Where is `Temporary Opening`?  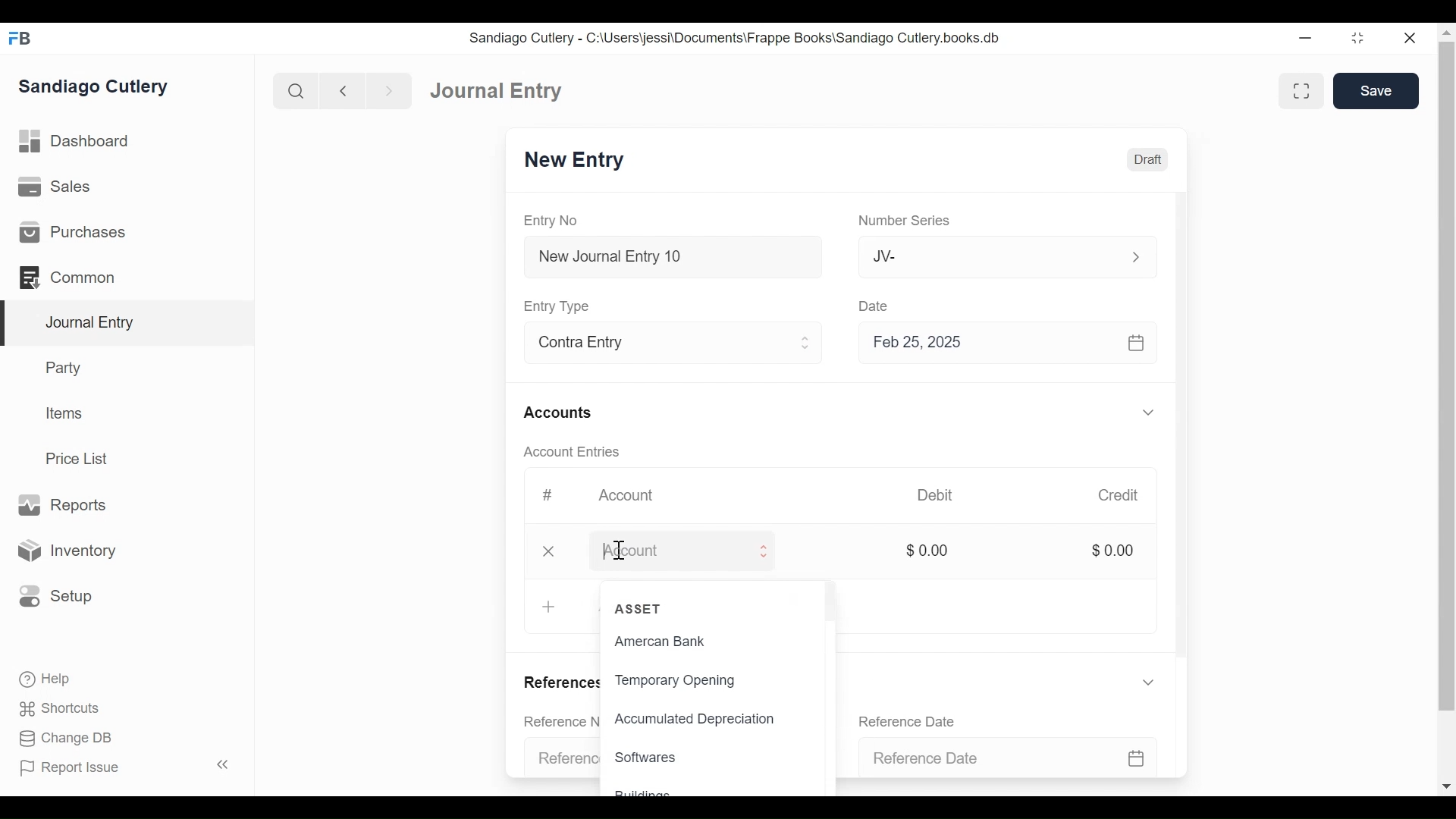
Temporary Opening is located at coordinates (694, 682).